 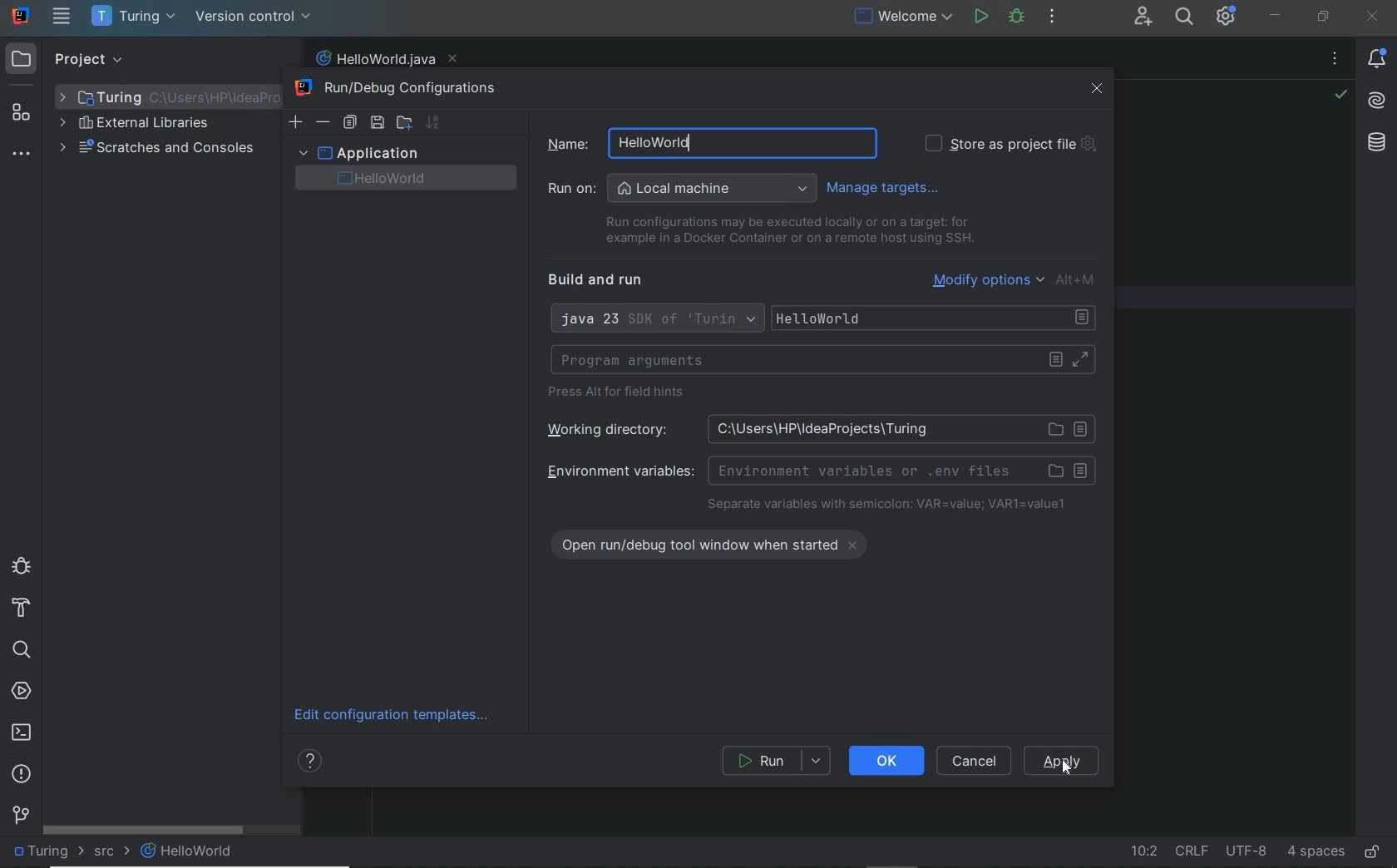 I want to click on go to line, so click(x=1143, y=853).